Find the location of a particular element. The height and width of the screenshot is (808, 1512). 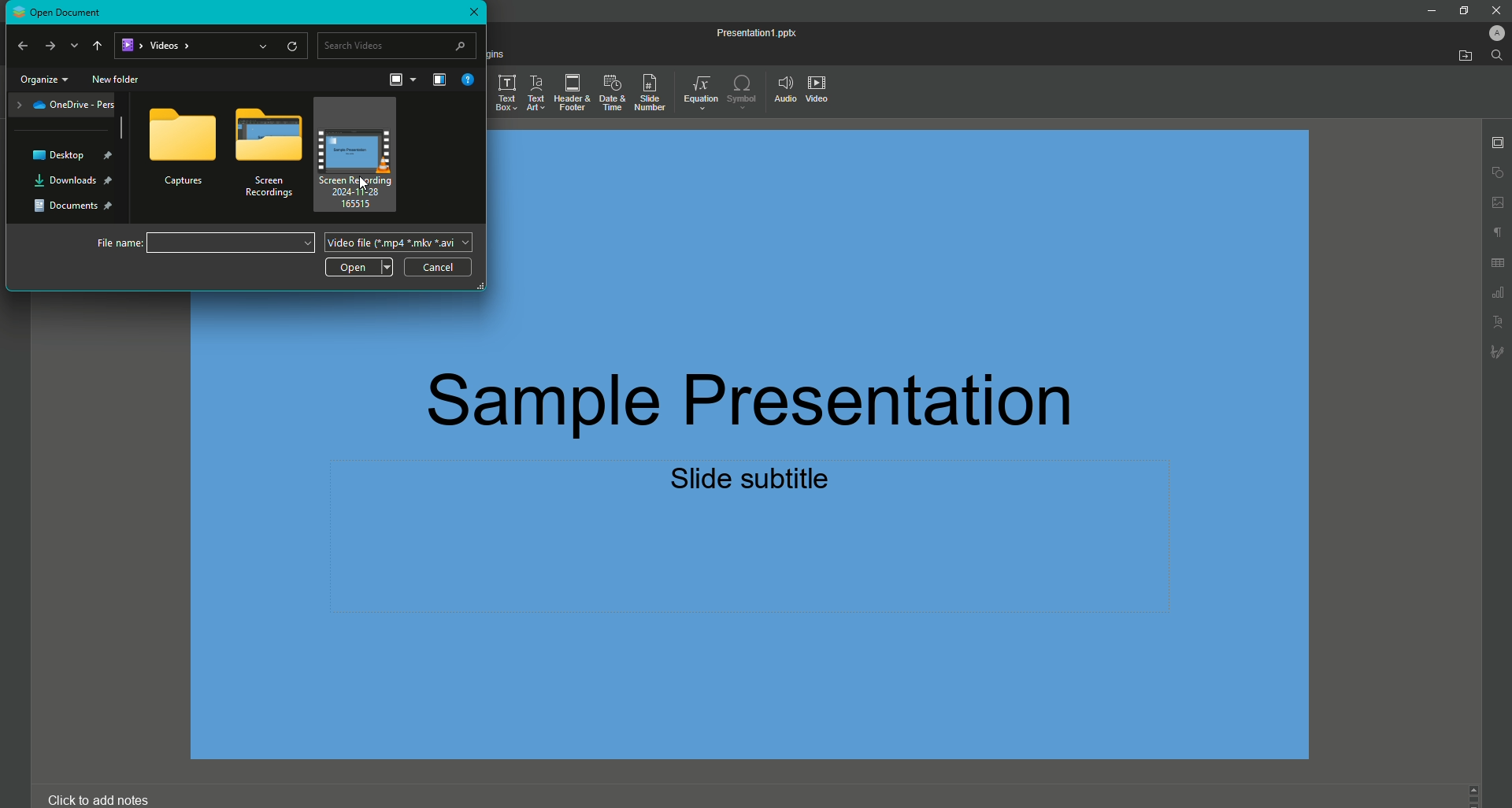

Audio is located at coordinates (784, 88).